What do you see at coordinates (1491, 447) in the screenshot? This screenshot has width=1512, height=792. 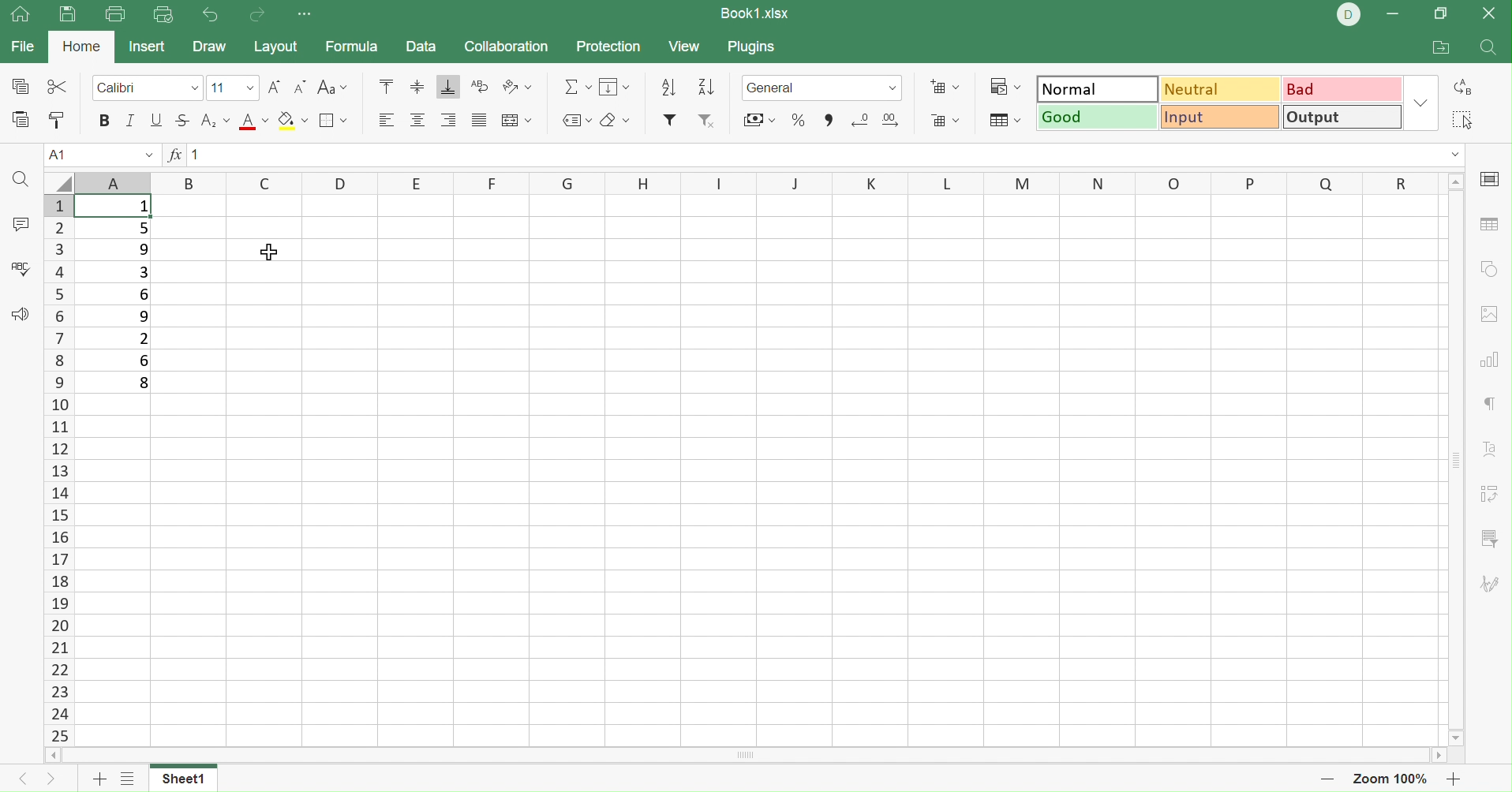 I see `Text art settings` at bounding box center [1491, 447].